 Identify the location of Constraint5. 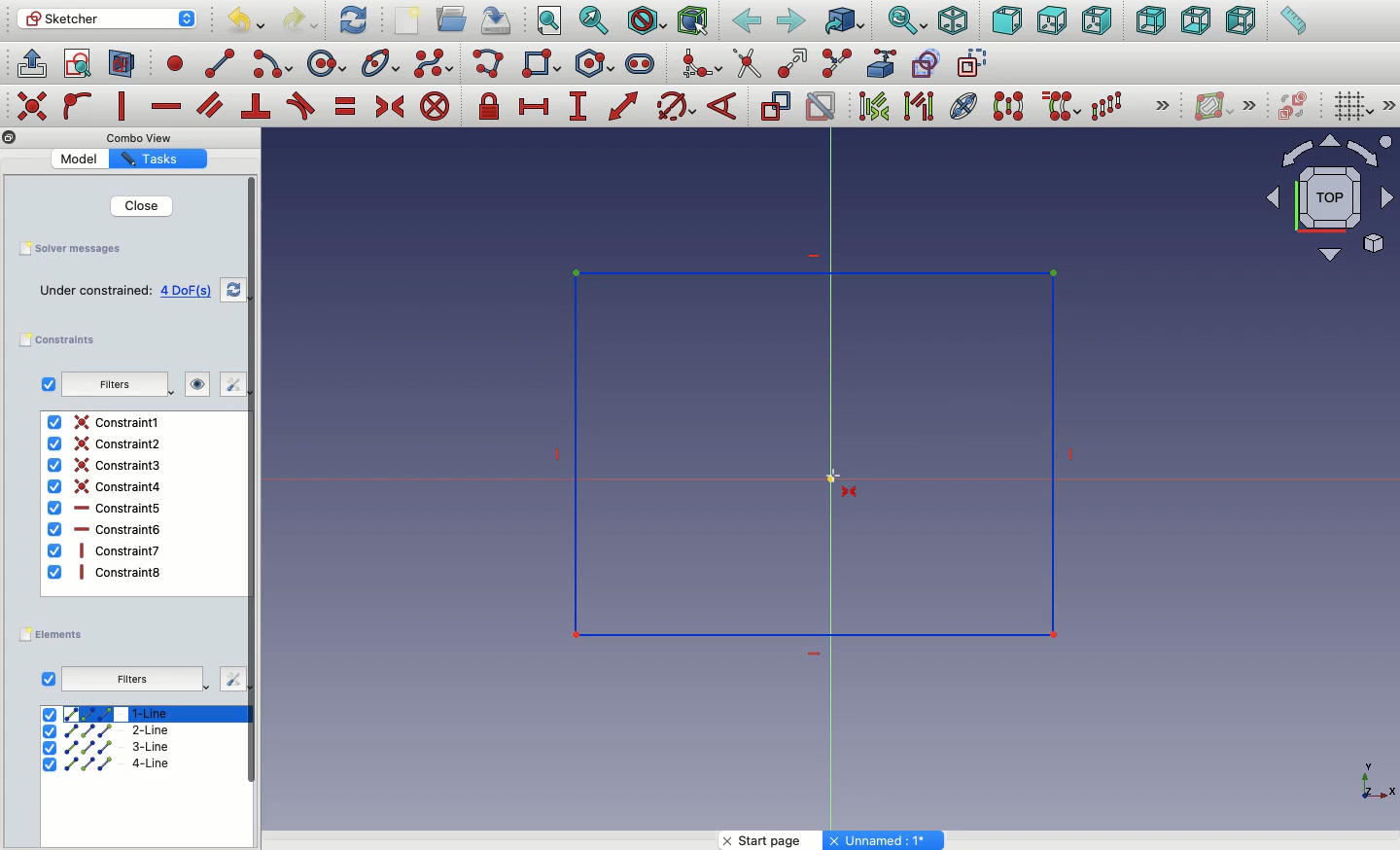
(106, 509).